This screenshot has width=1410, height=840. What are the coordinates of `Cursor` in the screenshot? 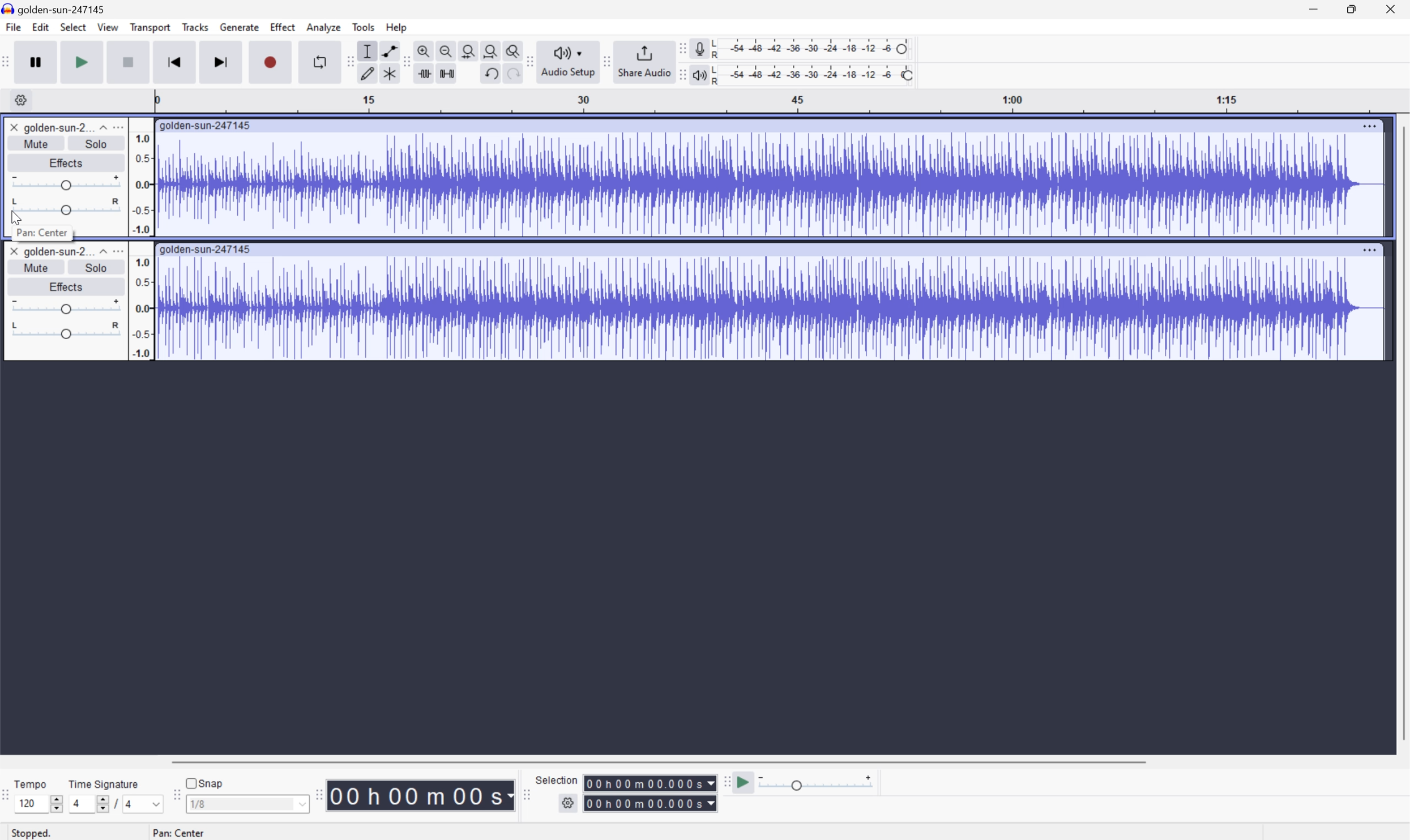 It's located at (15, 216).